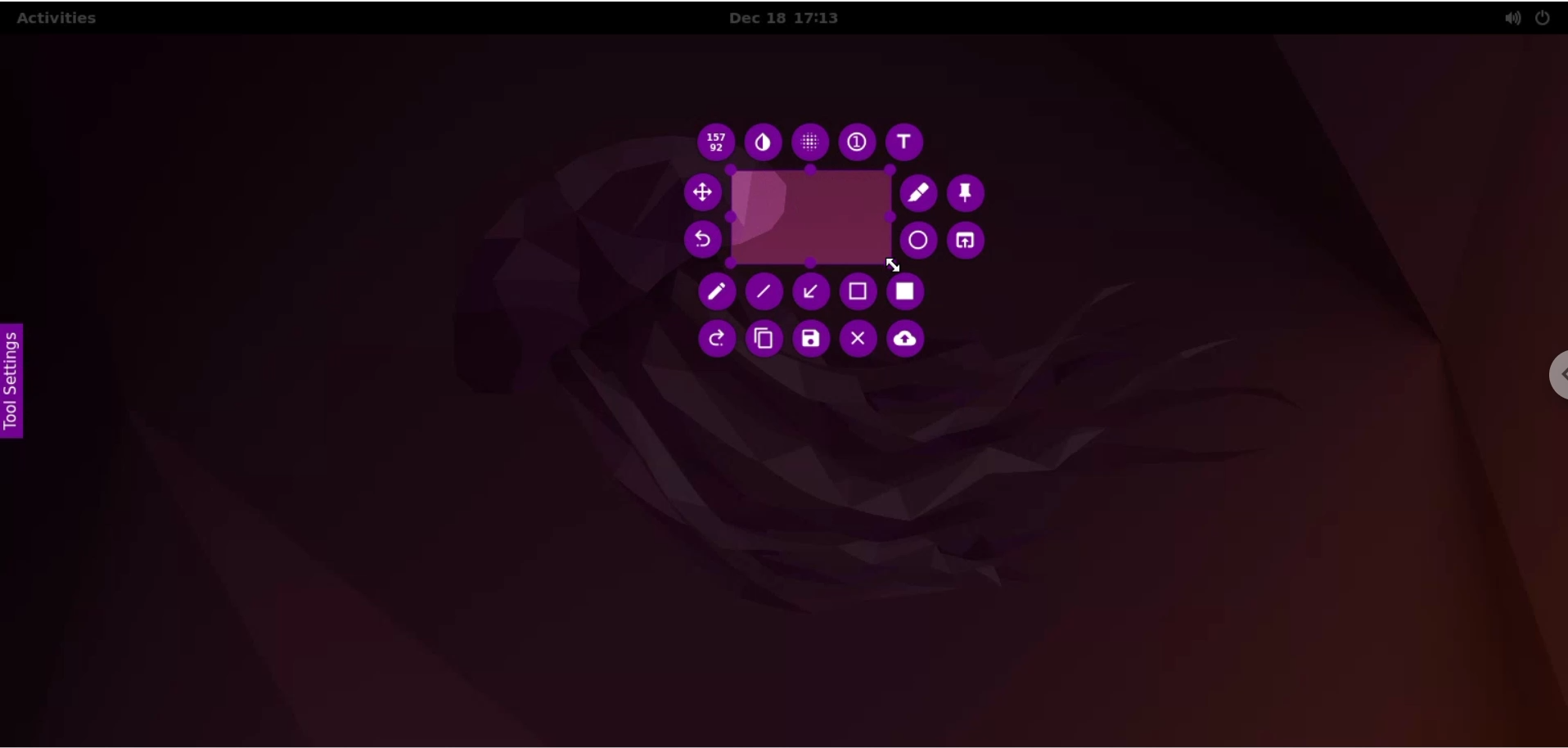 The width and height of the screenshot is (1568, 748). I want to click on pixelete as paint tool, so click(813, 142).